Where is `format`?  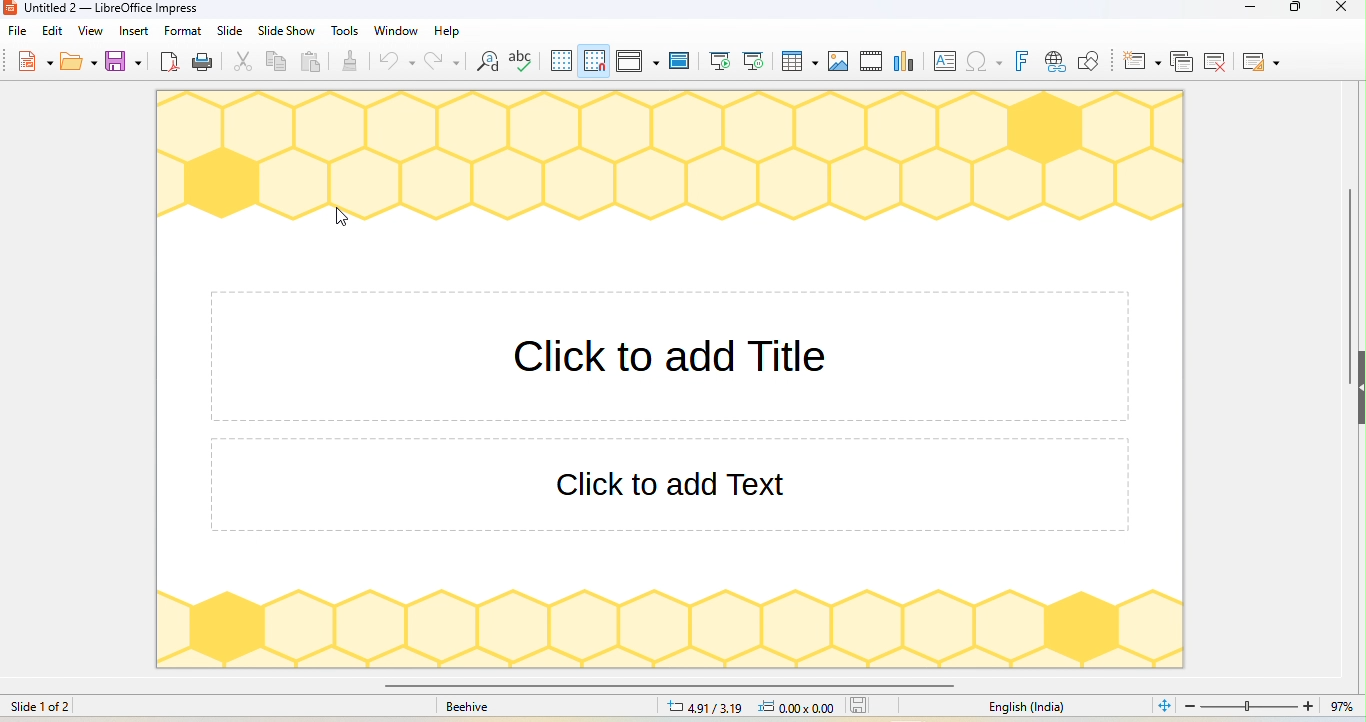
format is located at coordinates (184, 31).